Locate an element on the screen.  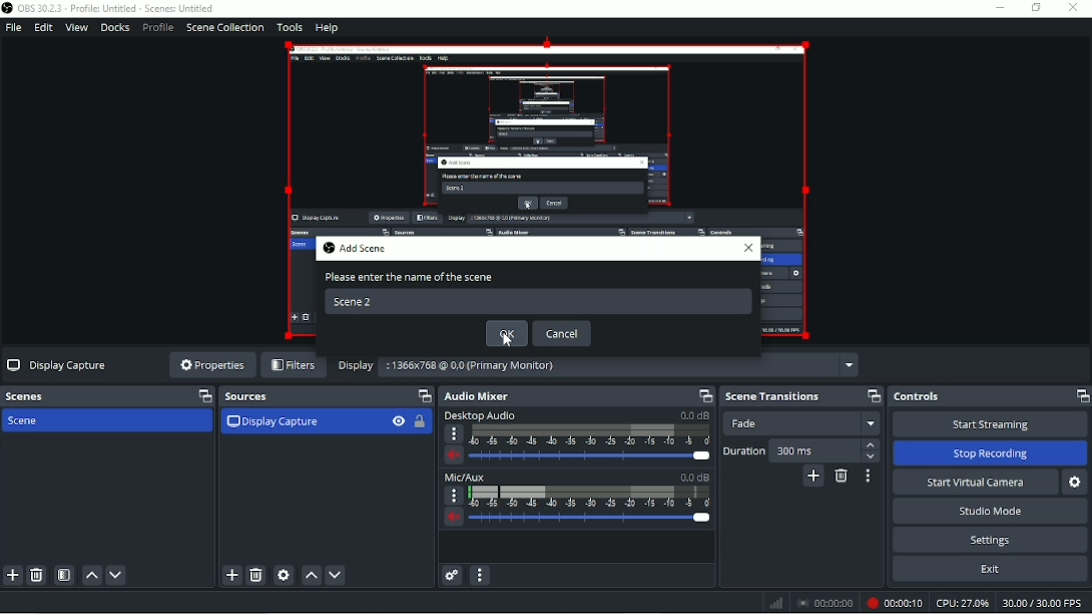
Slider is located at coordinates (593, 520).